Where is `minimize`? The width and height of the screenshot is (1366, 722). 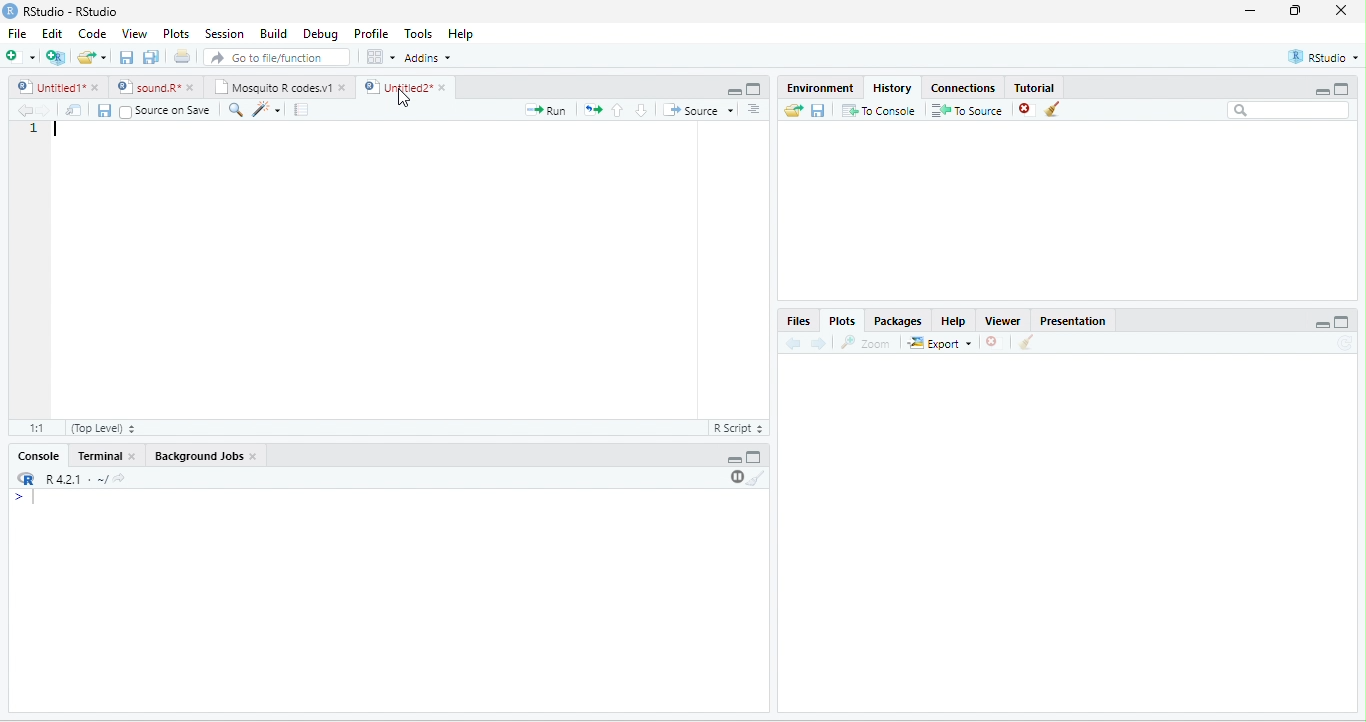
minimize is located at coordinates (734, 92).